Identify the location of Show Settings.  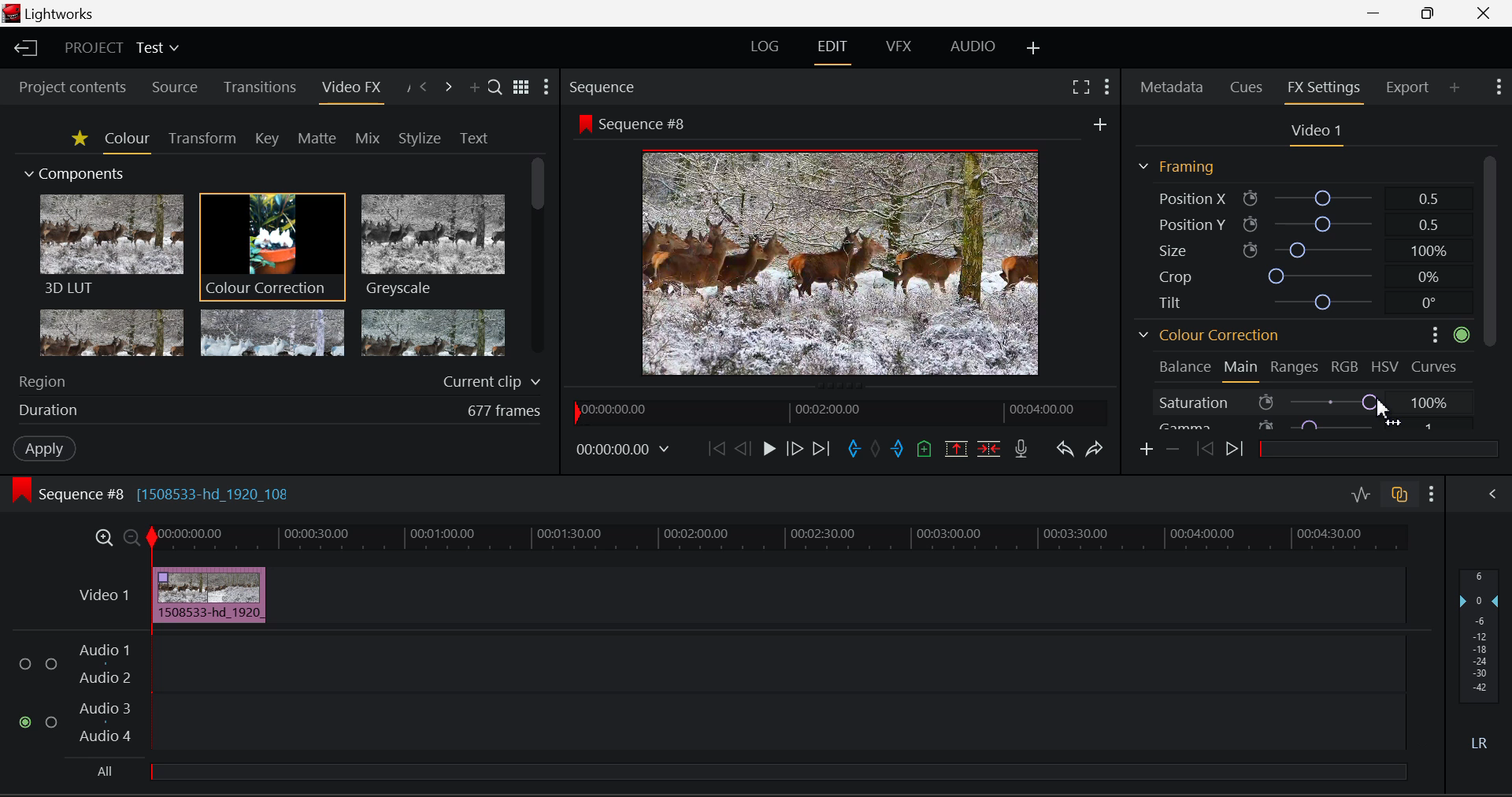
(1501, 87).